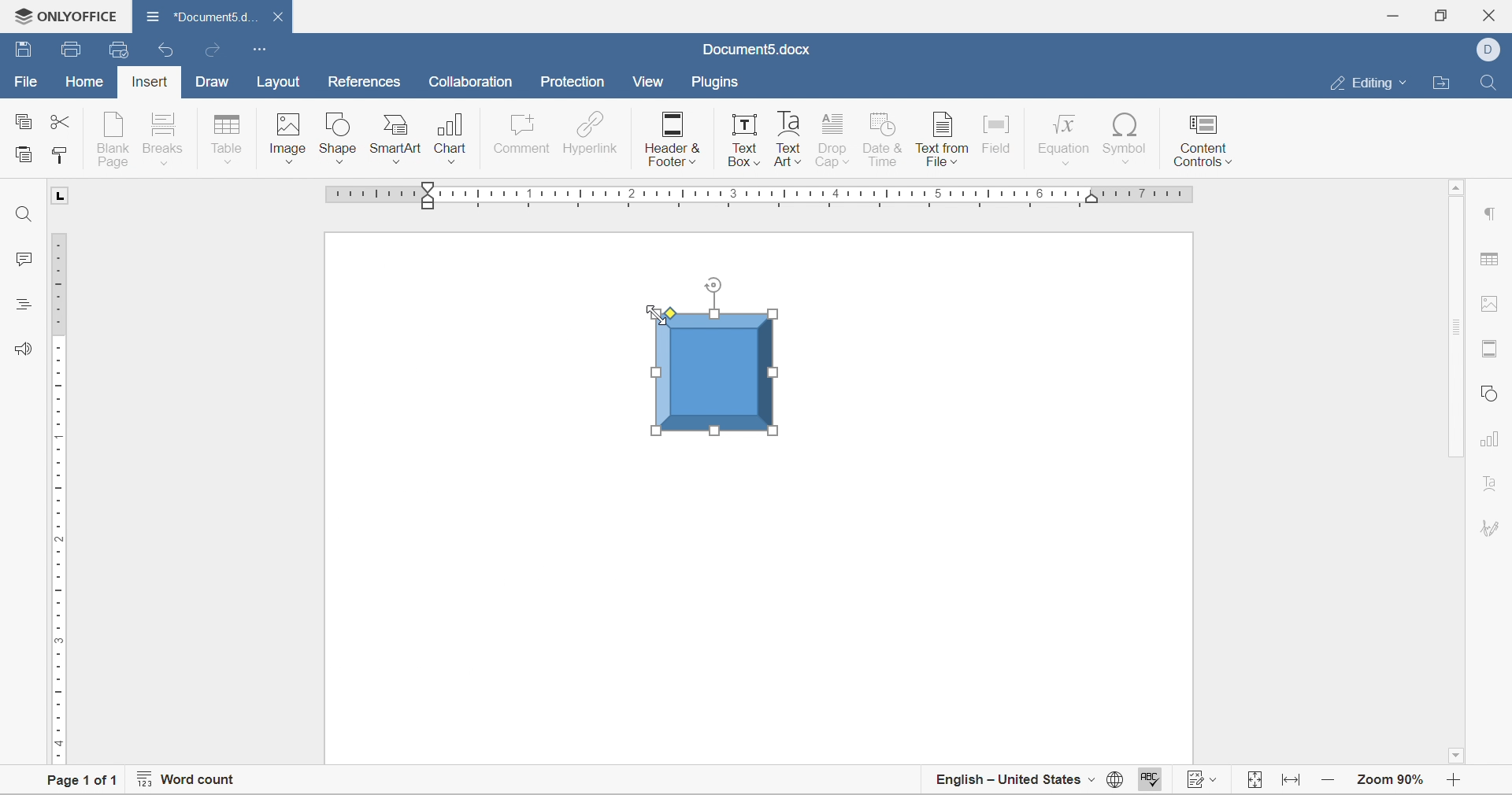 This screenshot has width=1512, height=795. I want to click on find, so click(1488, 81).